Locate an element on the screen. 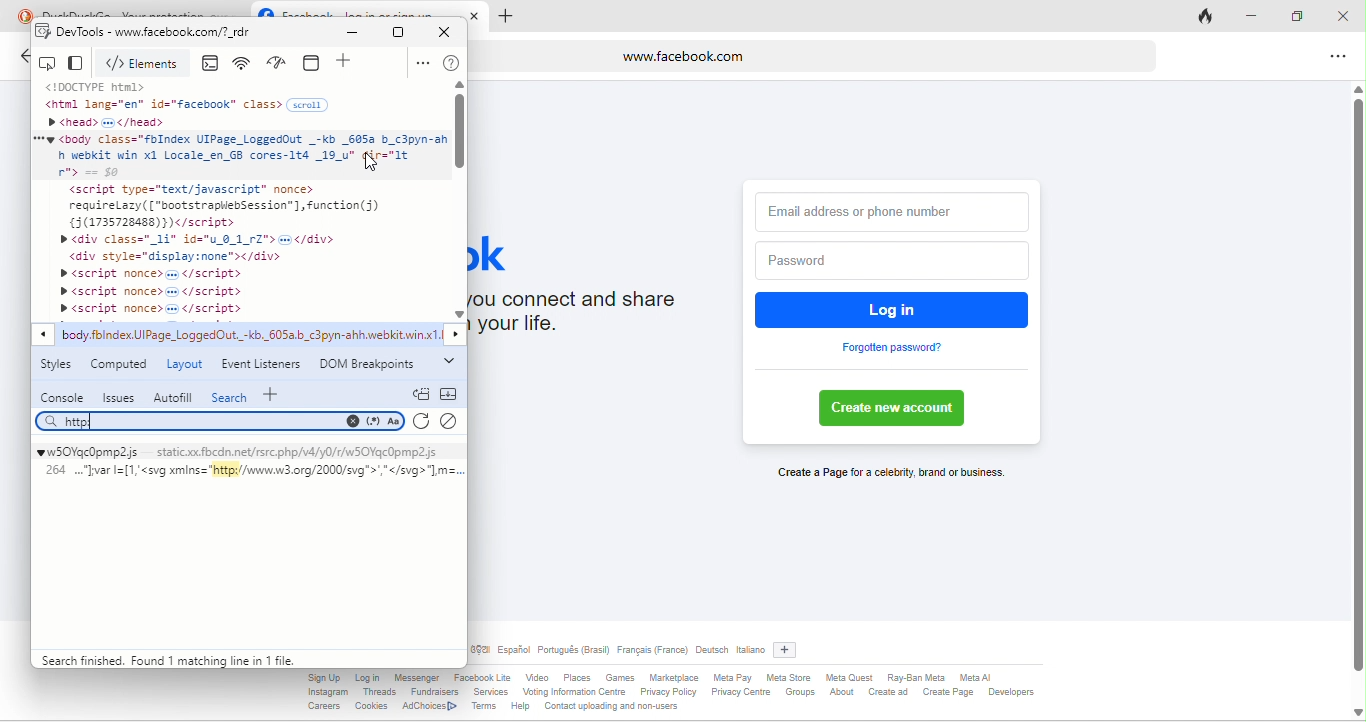 The height and width of the screenshot is (722, 1366). minimize is located at coordinates (1259, 18).